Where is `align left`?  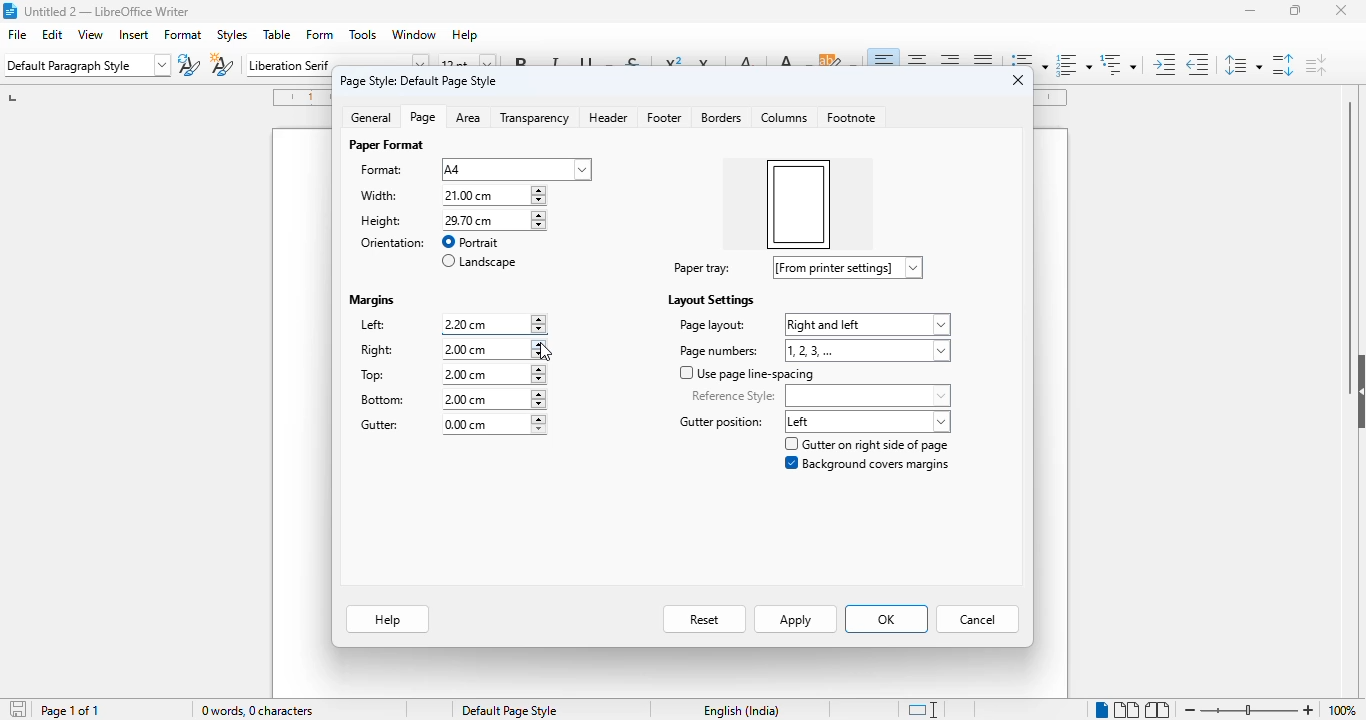 align left is located at coordinates (884, 59).